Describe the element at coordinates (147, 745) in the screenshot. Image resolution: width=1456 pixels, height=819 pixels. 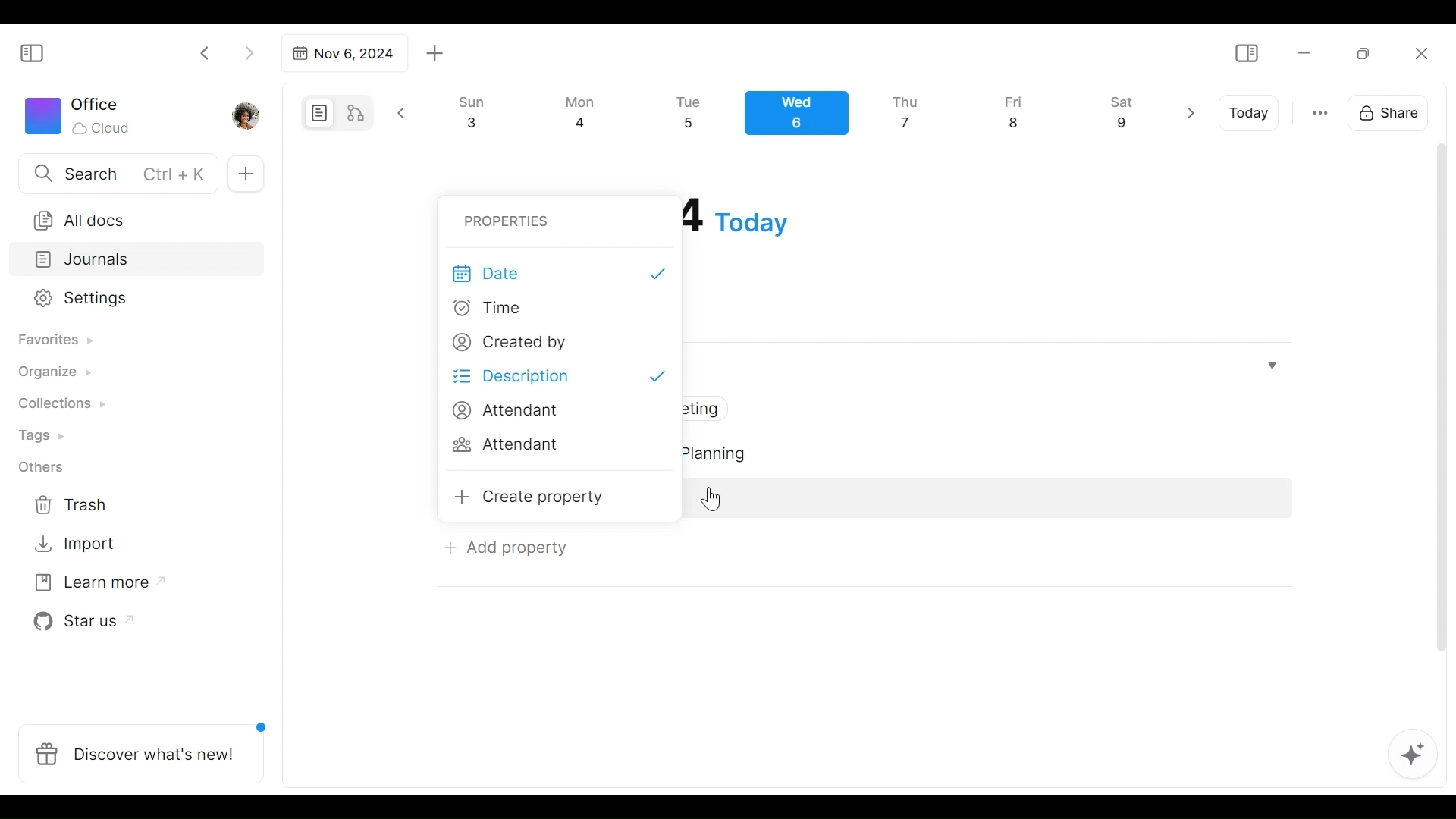
I see `Discover what's new` at that location.